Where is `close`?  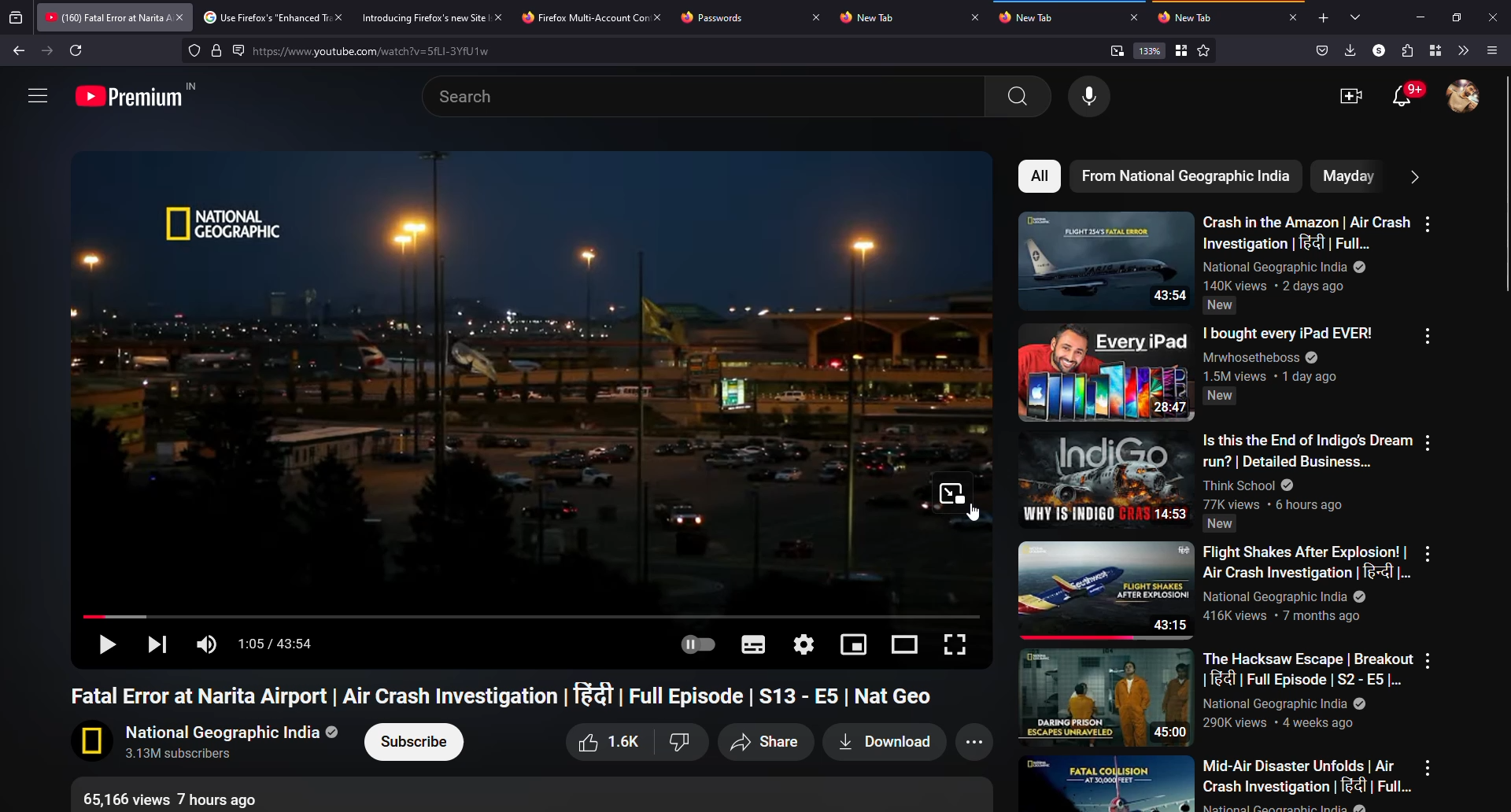
close is located at coordinates (1295, 17).